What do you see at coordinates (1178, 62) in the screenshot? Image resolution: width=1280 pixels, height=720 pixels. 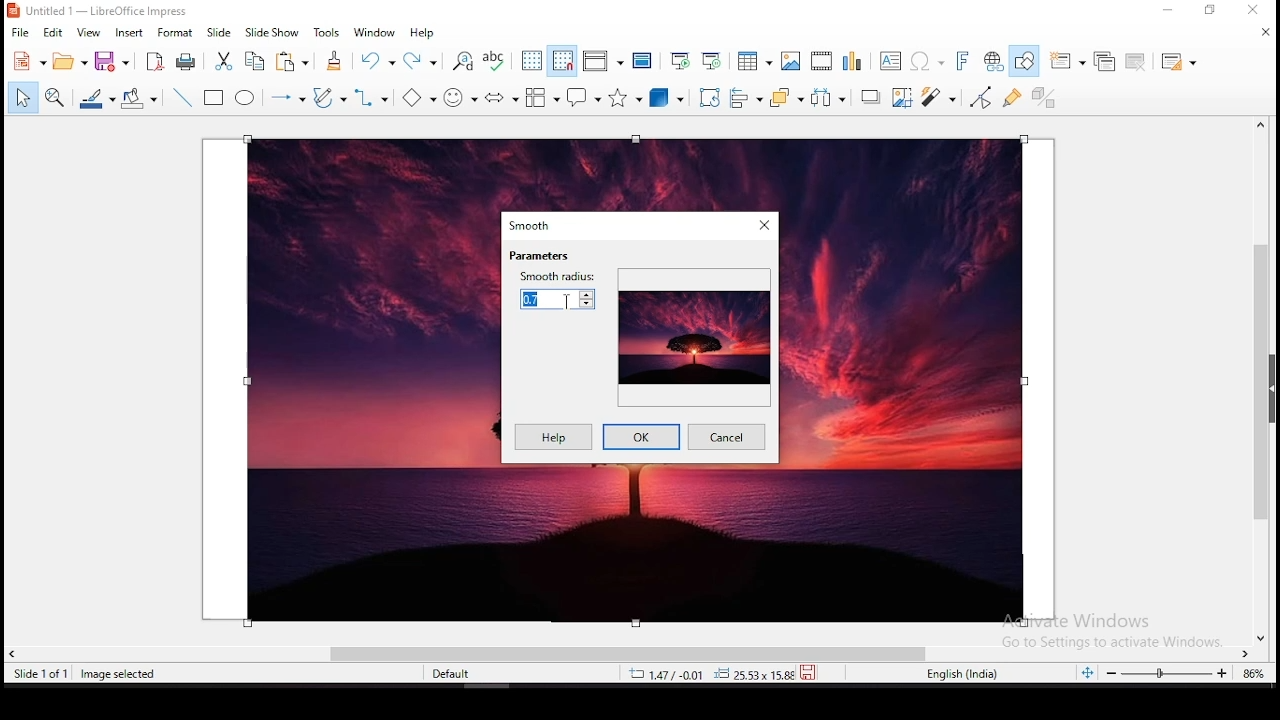 I see ` slide layout` at bounding box center [1178, 62].